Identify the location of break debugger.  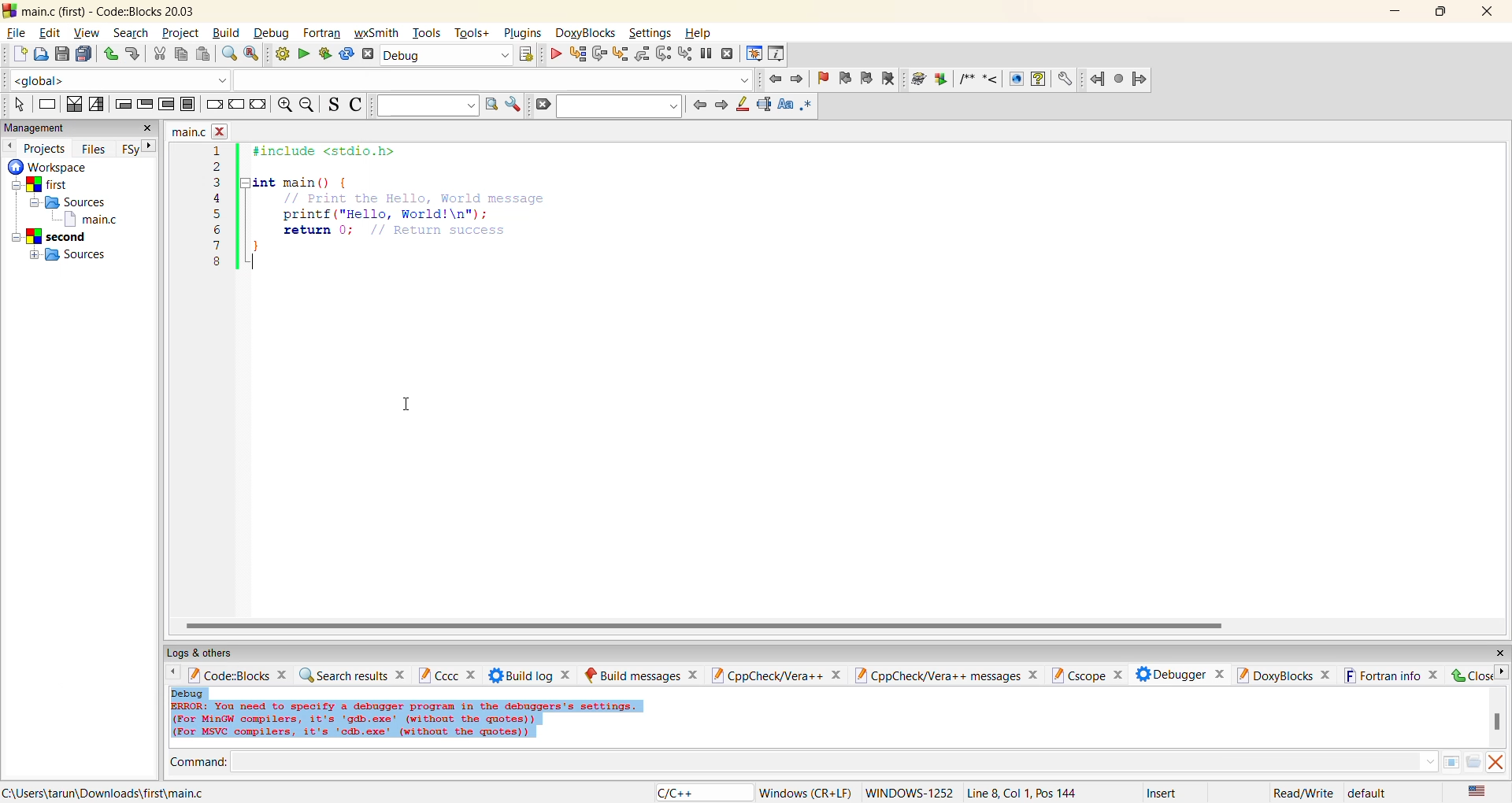
(709, 56).